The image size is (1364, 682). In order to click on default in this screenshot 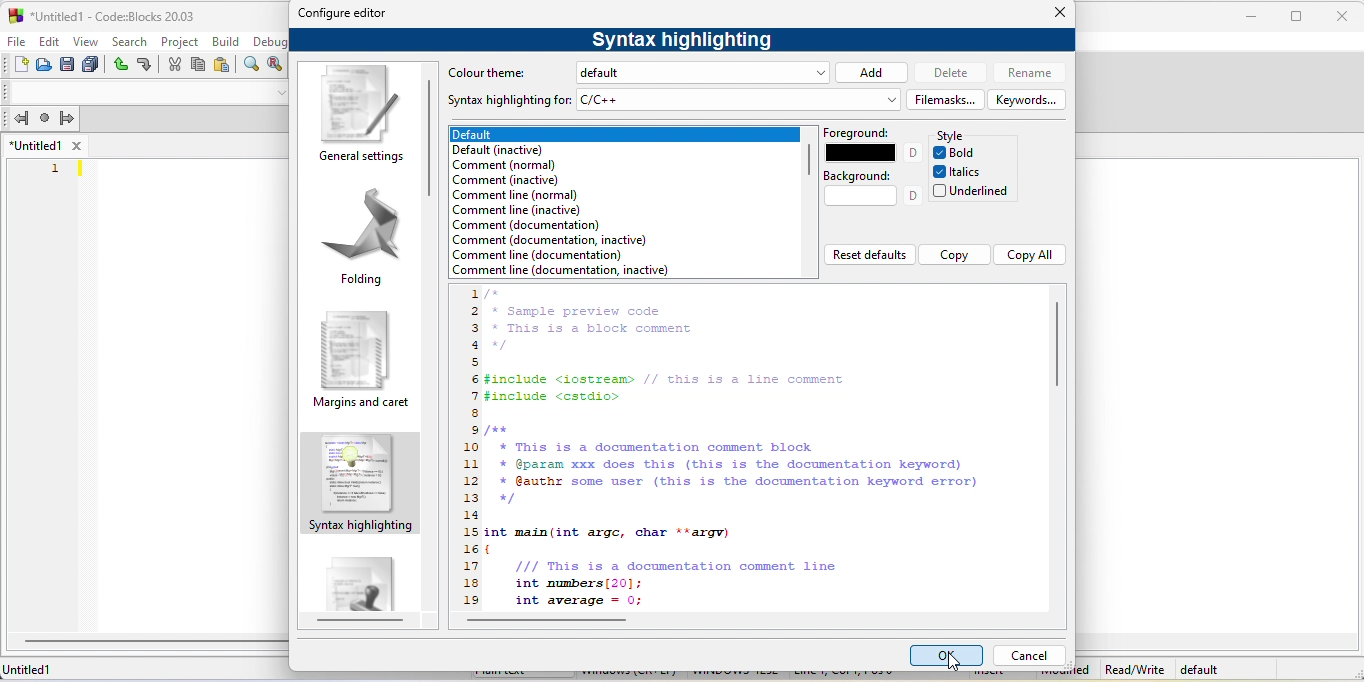, I will do `click(705, 72)`.